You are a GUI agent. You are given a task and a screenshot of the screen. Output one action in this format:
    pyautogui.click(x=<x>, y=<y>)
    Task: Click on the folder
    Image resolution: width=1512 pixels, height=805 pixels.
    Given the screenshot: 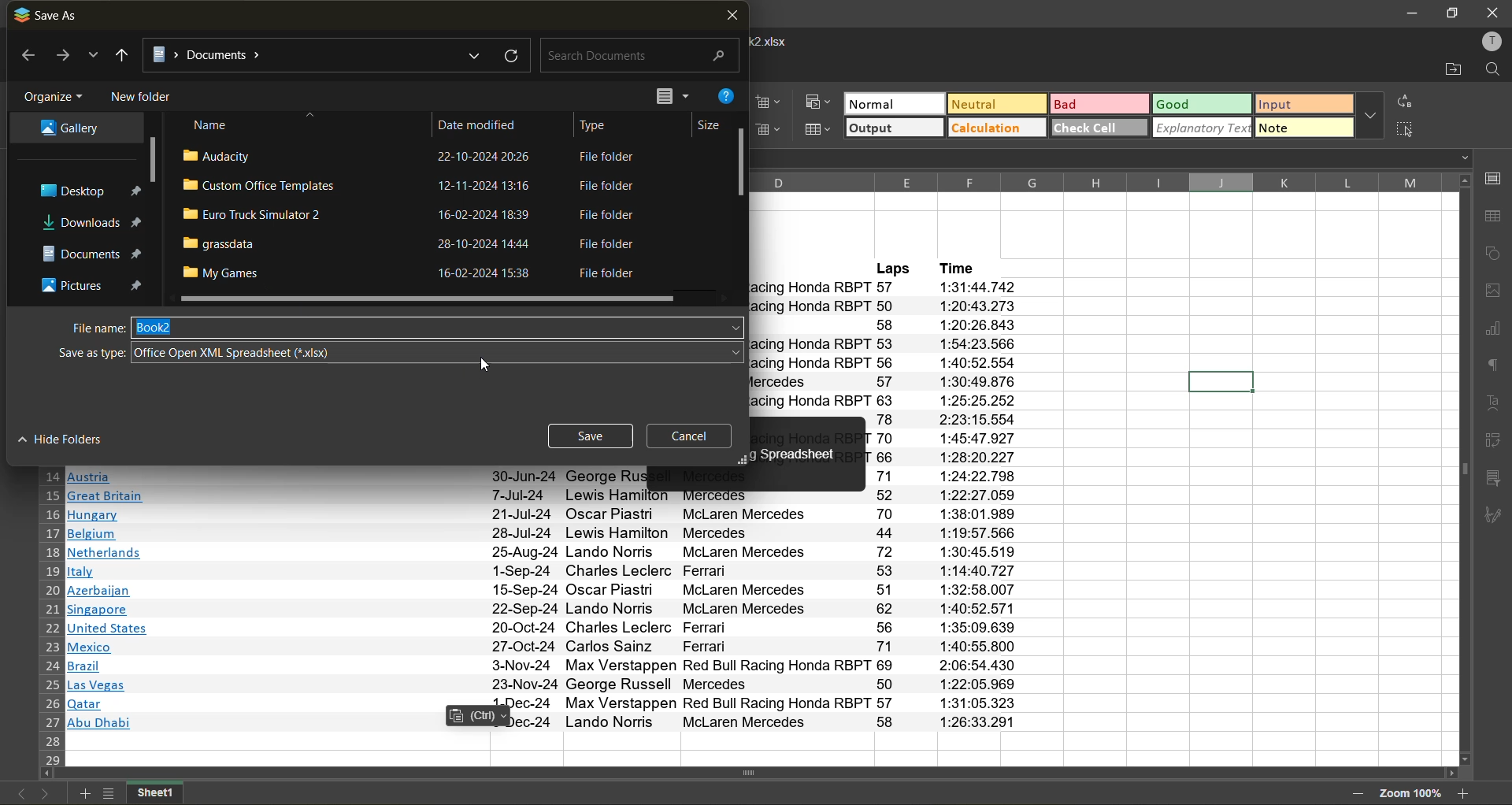 What is the action you would take?
    pyautogui.click(x=88, y=283)
    